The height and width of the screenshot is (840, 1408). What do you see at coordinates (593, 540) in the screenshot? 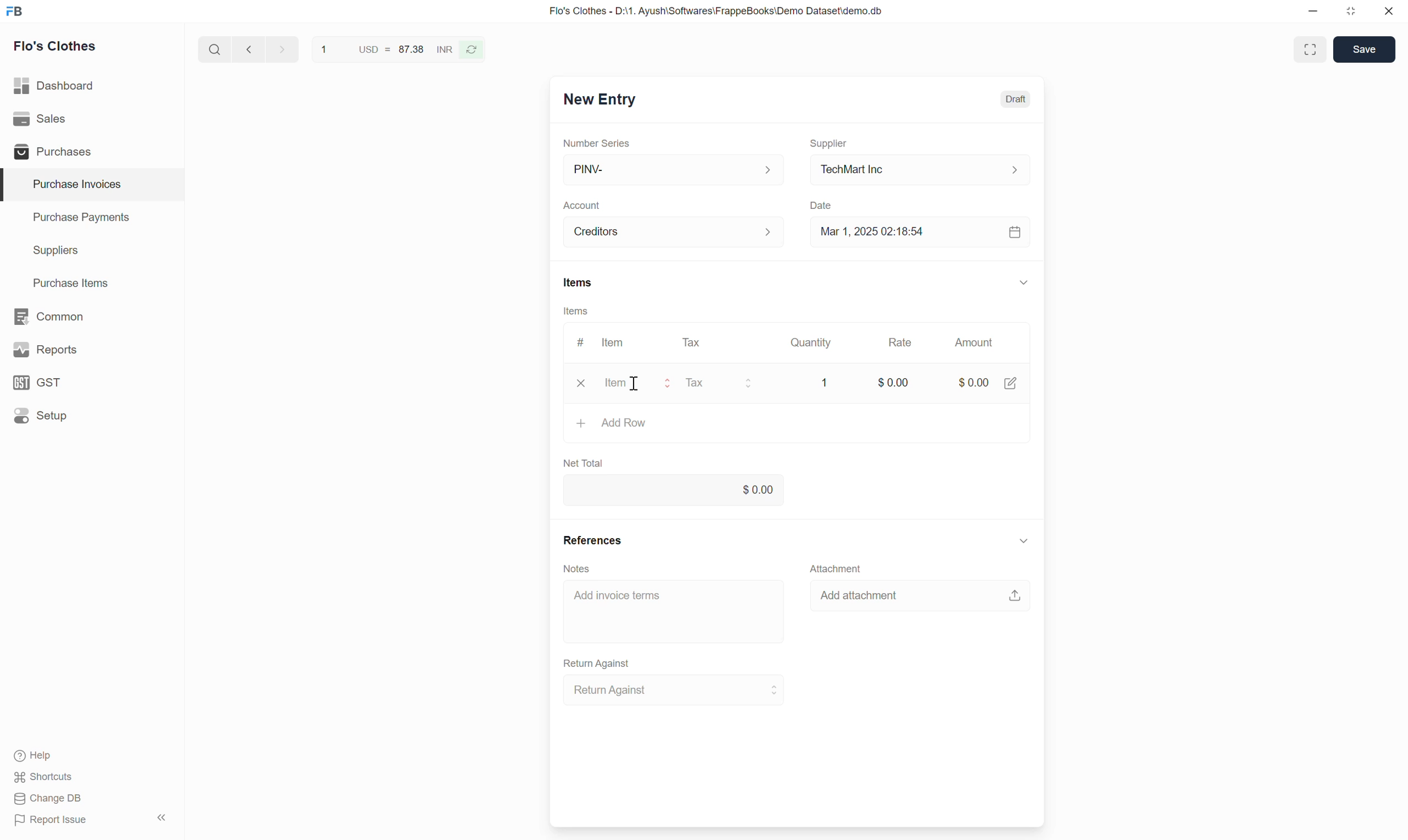
I see `References` at bounding box center [593, 540].